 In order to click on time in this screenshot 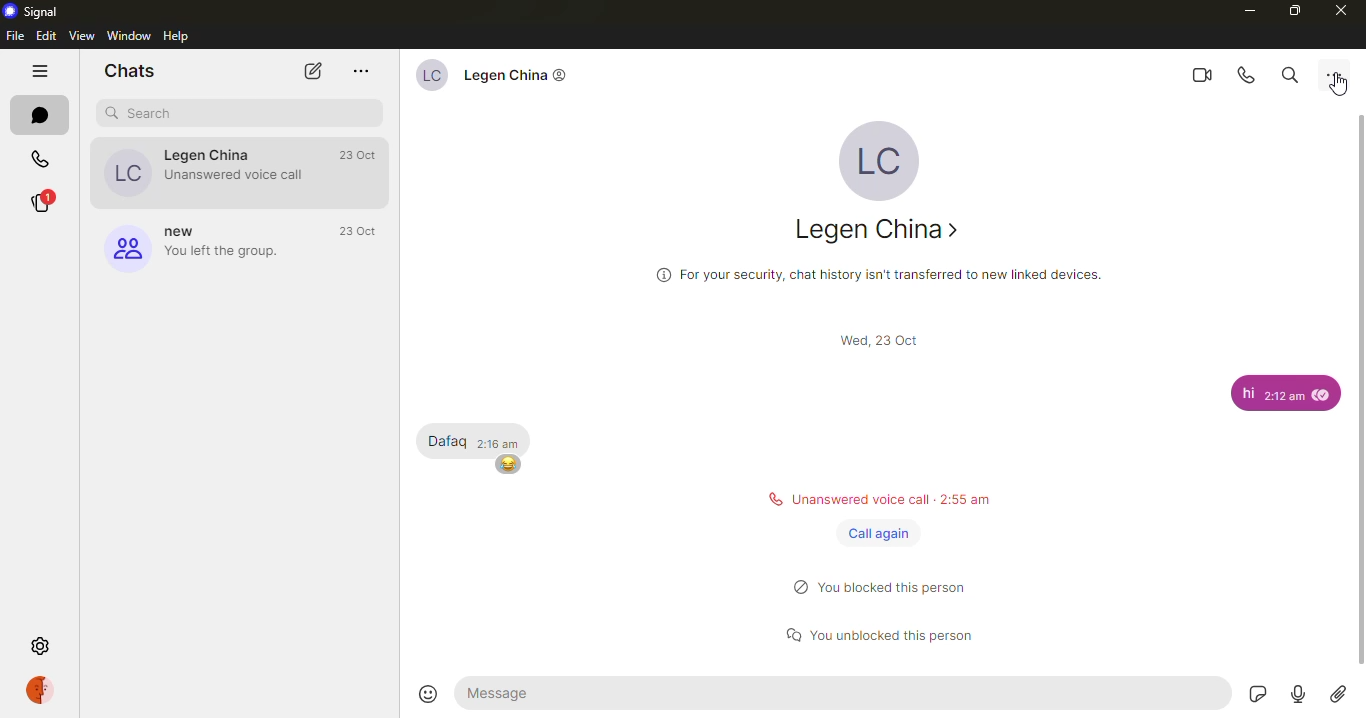, I will do `click(1283, 396)`.